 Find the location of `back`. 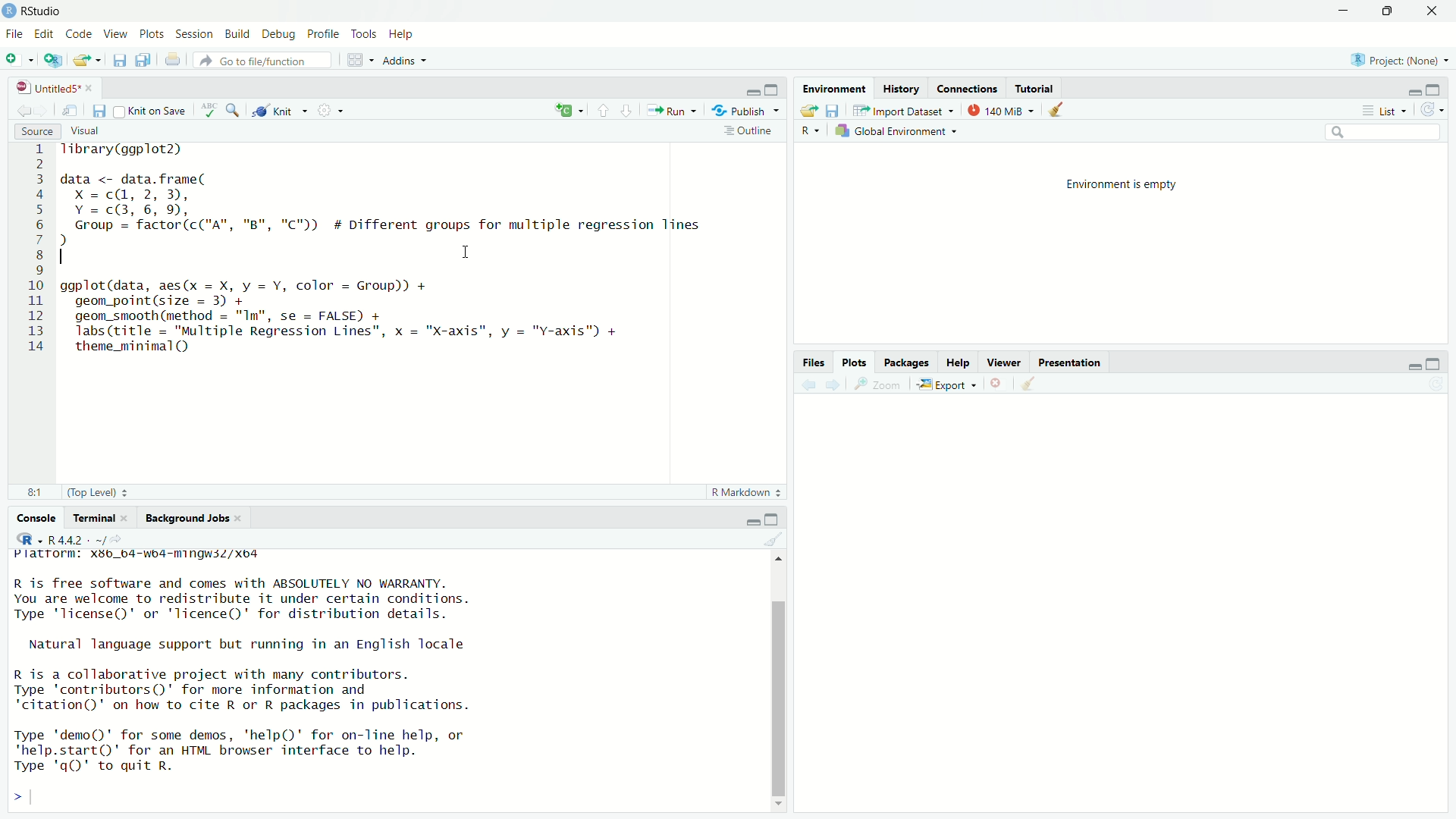

back is located at coordinates (20, 111).